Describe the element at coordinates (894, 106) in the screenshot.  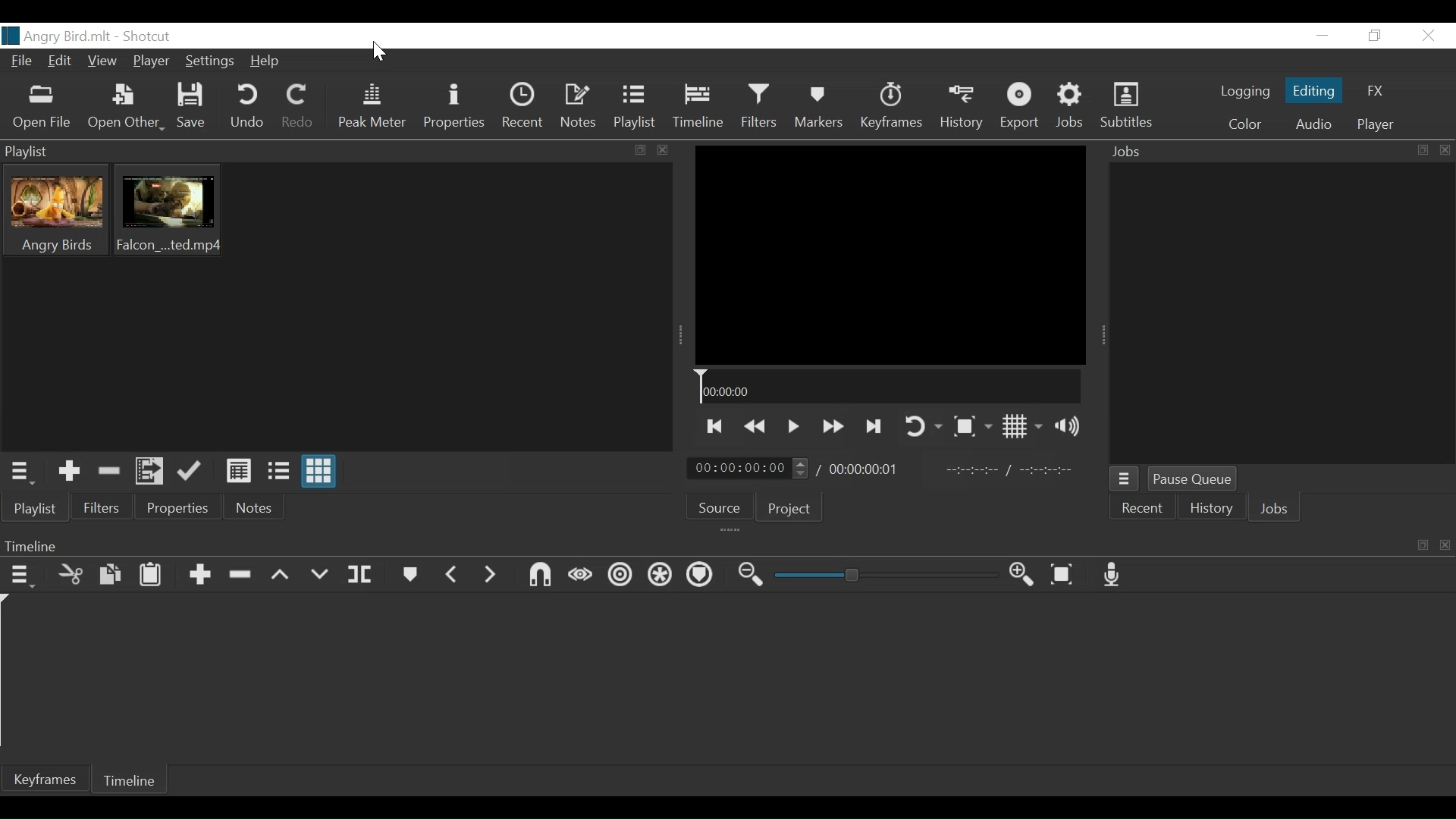
I see `Keyframes` at that location.